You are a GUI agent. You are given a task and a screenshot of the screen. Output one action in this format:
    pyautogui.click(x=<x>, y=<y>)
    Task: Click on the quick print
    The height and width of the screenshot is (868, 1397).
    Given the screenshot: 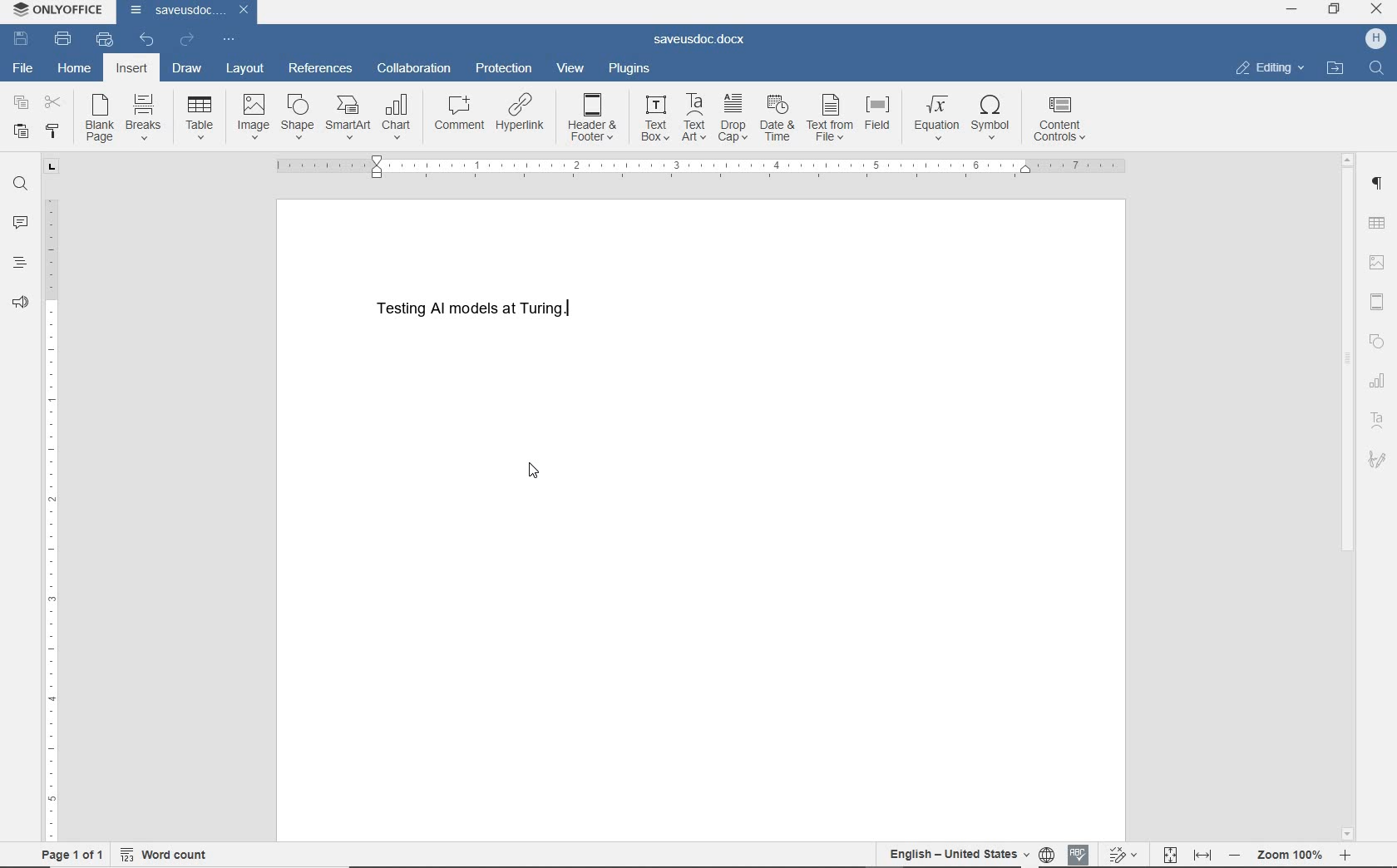 What is the action you would take?
    pyautogui.click(x=102, y=40)
    